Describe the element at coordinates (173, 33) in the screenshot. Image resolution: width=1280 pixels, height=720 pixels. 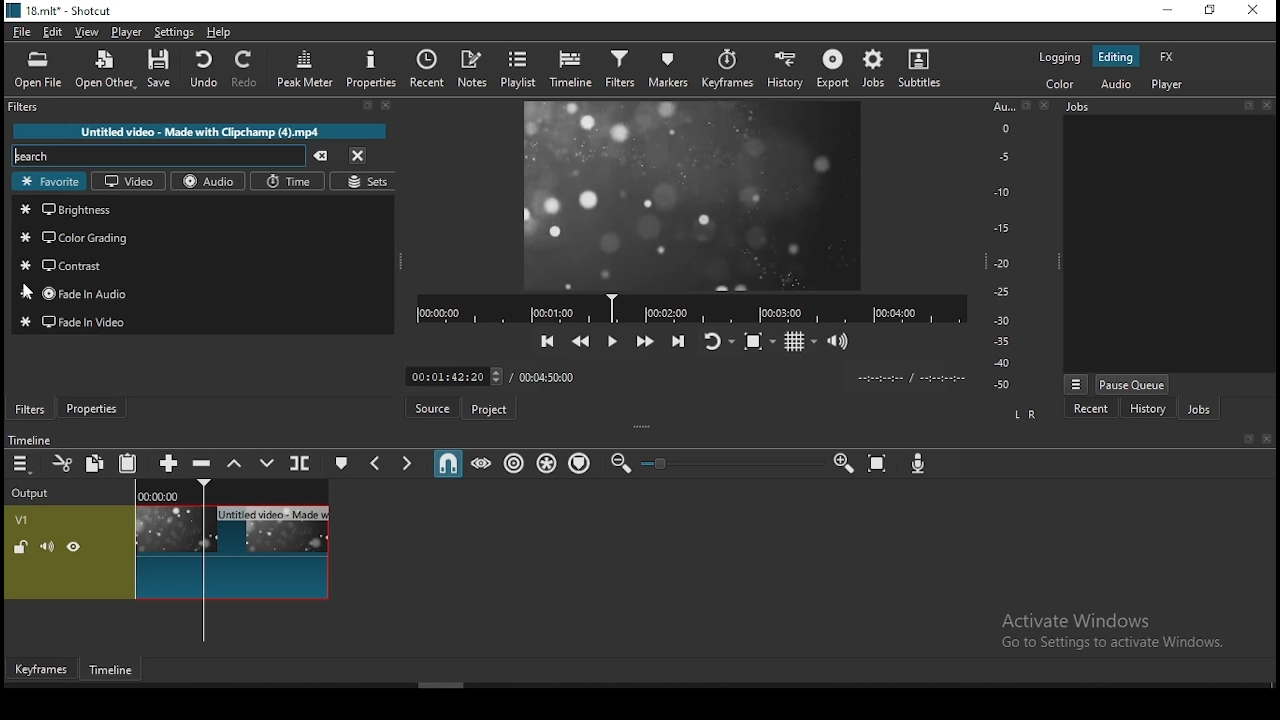
I see `settings` at that location.